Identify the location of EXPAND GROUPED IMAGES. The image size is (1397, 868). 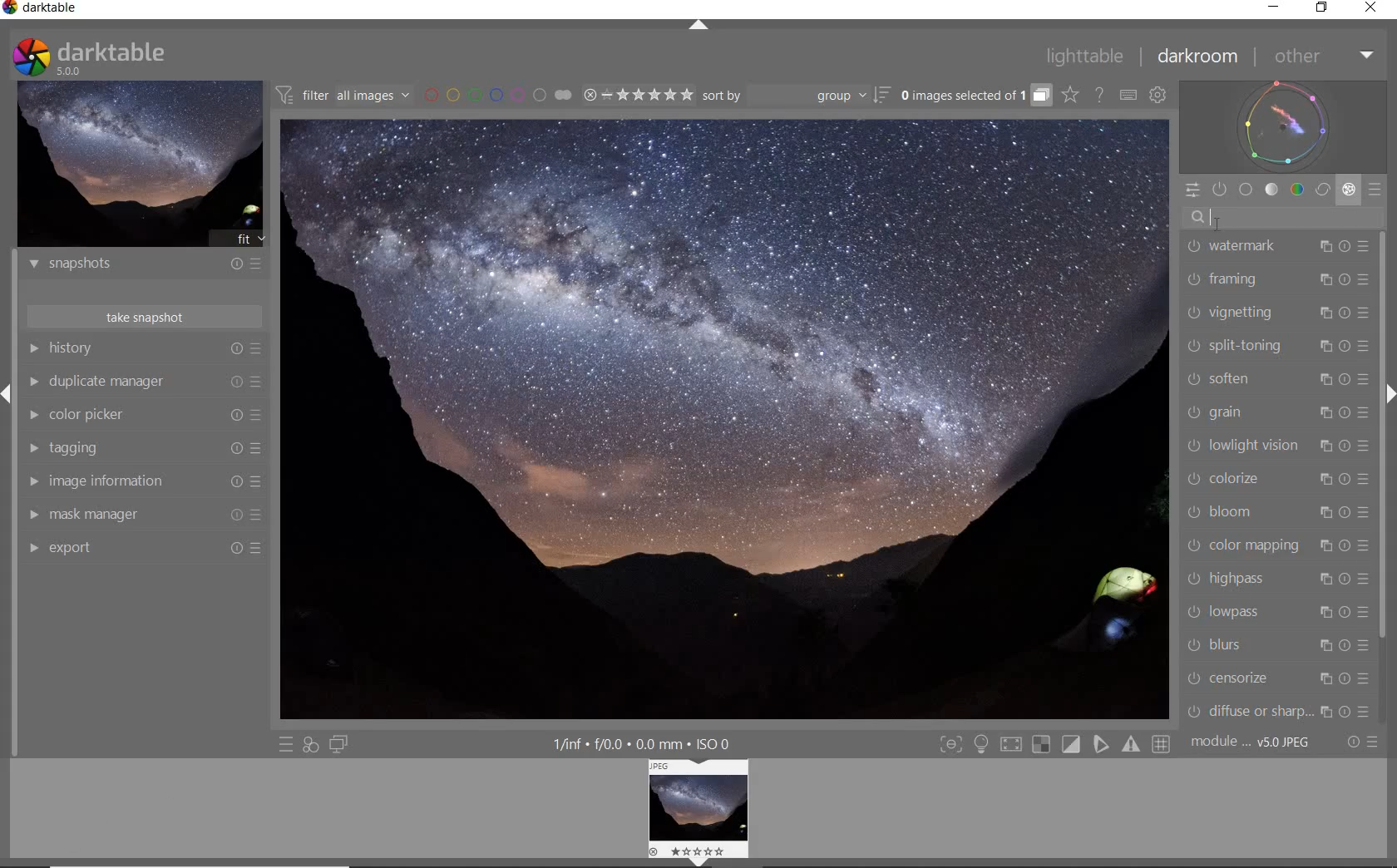
(975, 96).